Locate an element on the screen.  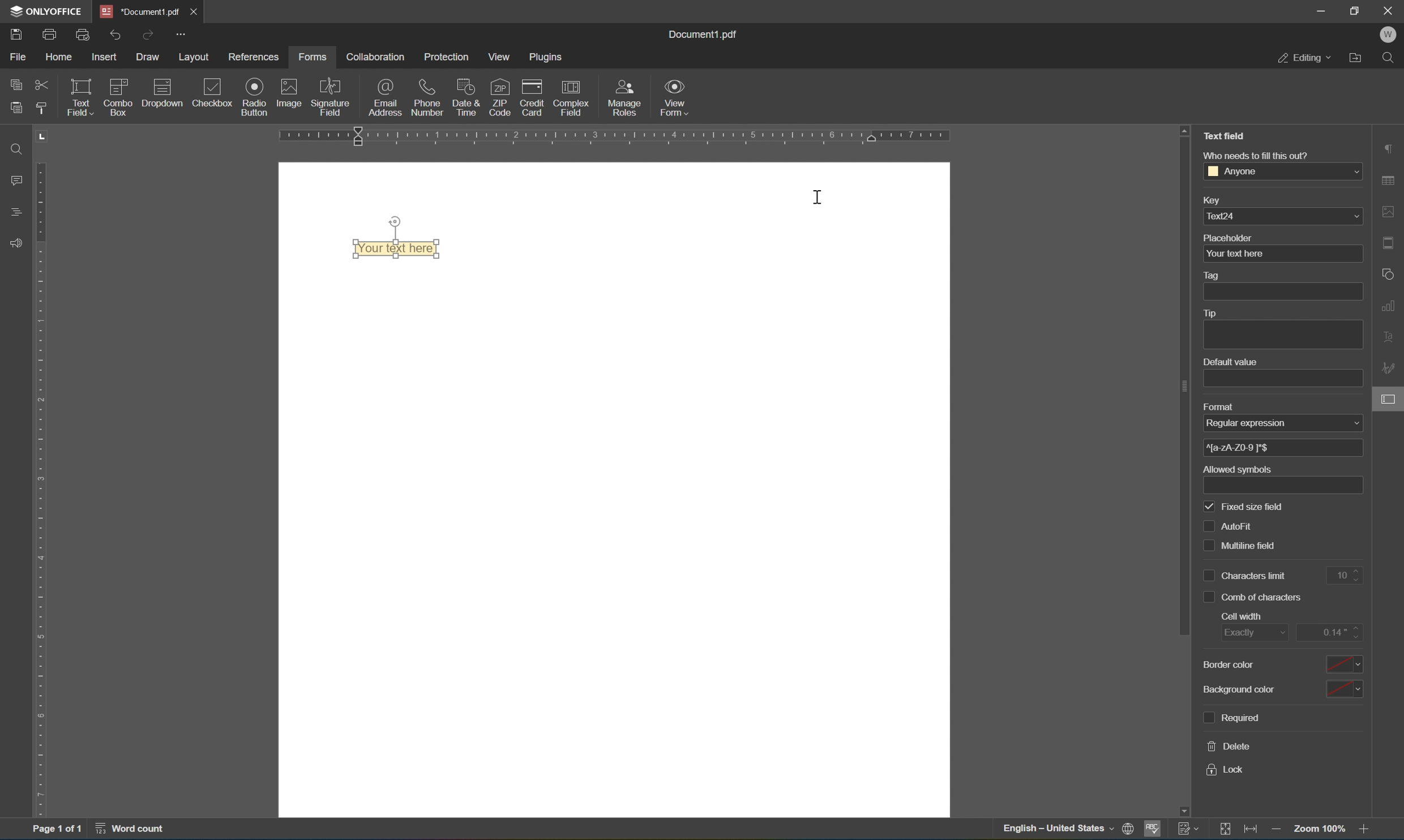
protection is located at coordinates (447, 57).